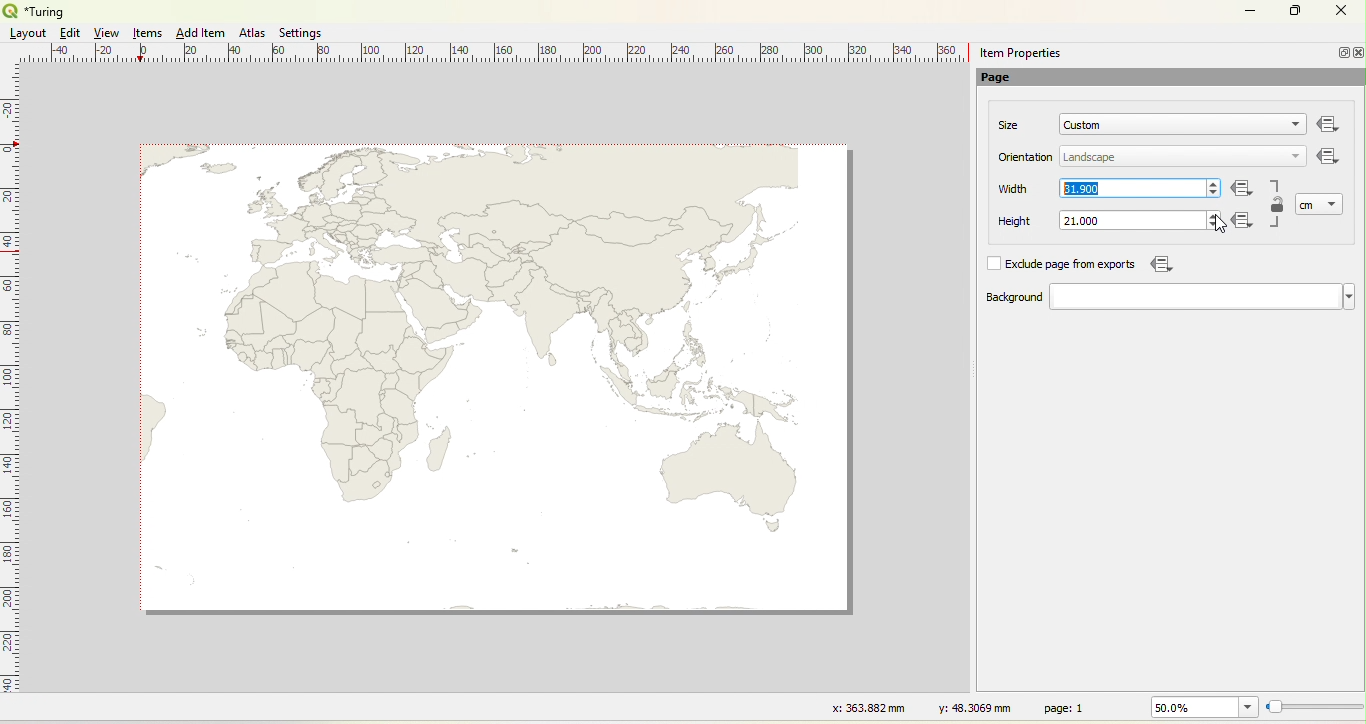 The width and height of the screenshot is (1366, 724). Describe the element at coordinates (968, 707) in the screenshot. I see `y: 48.3069 mm` at that location.